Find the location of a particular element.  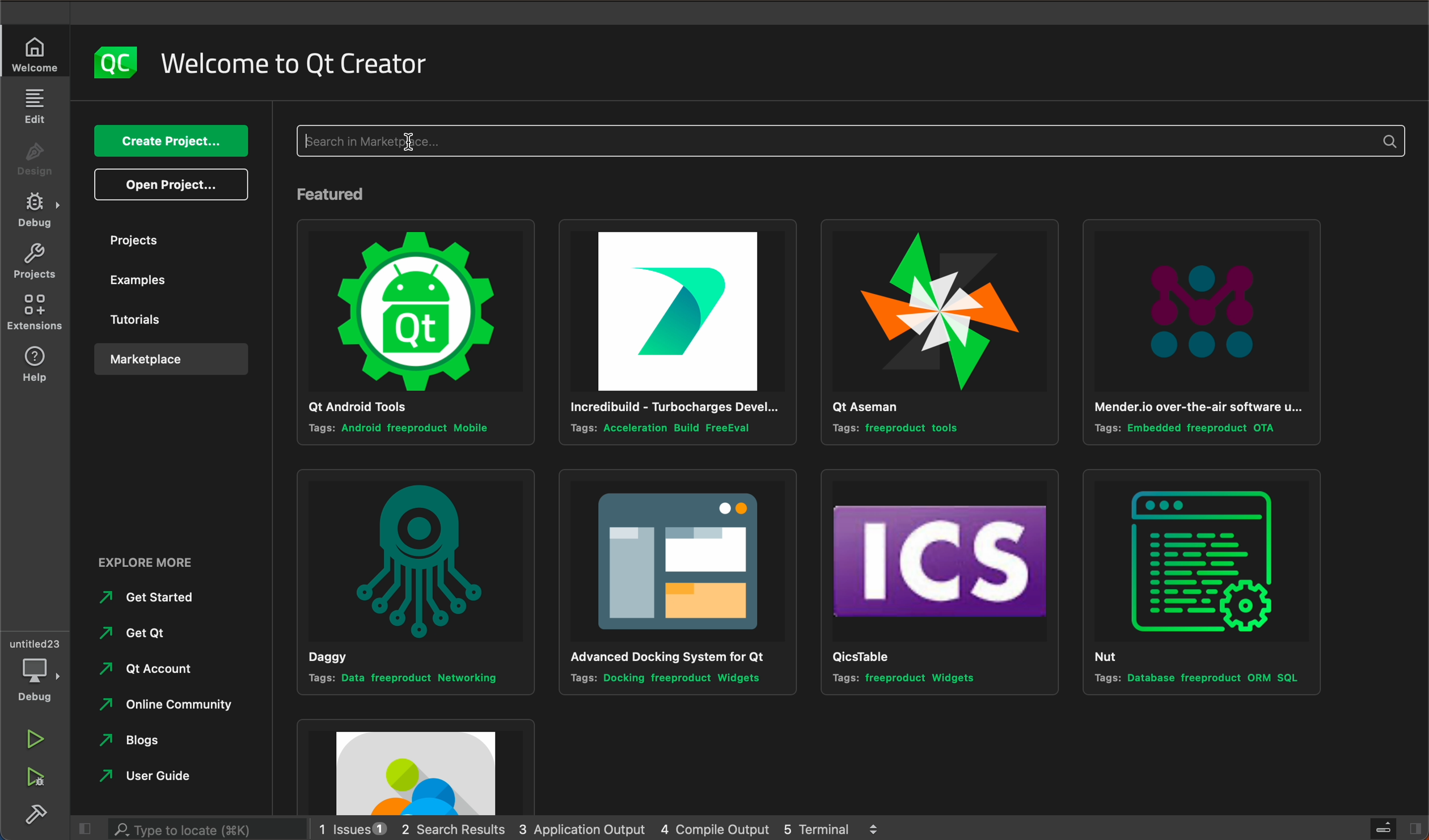

open projects is located at coordinates (172, 183).